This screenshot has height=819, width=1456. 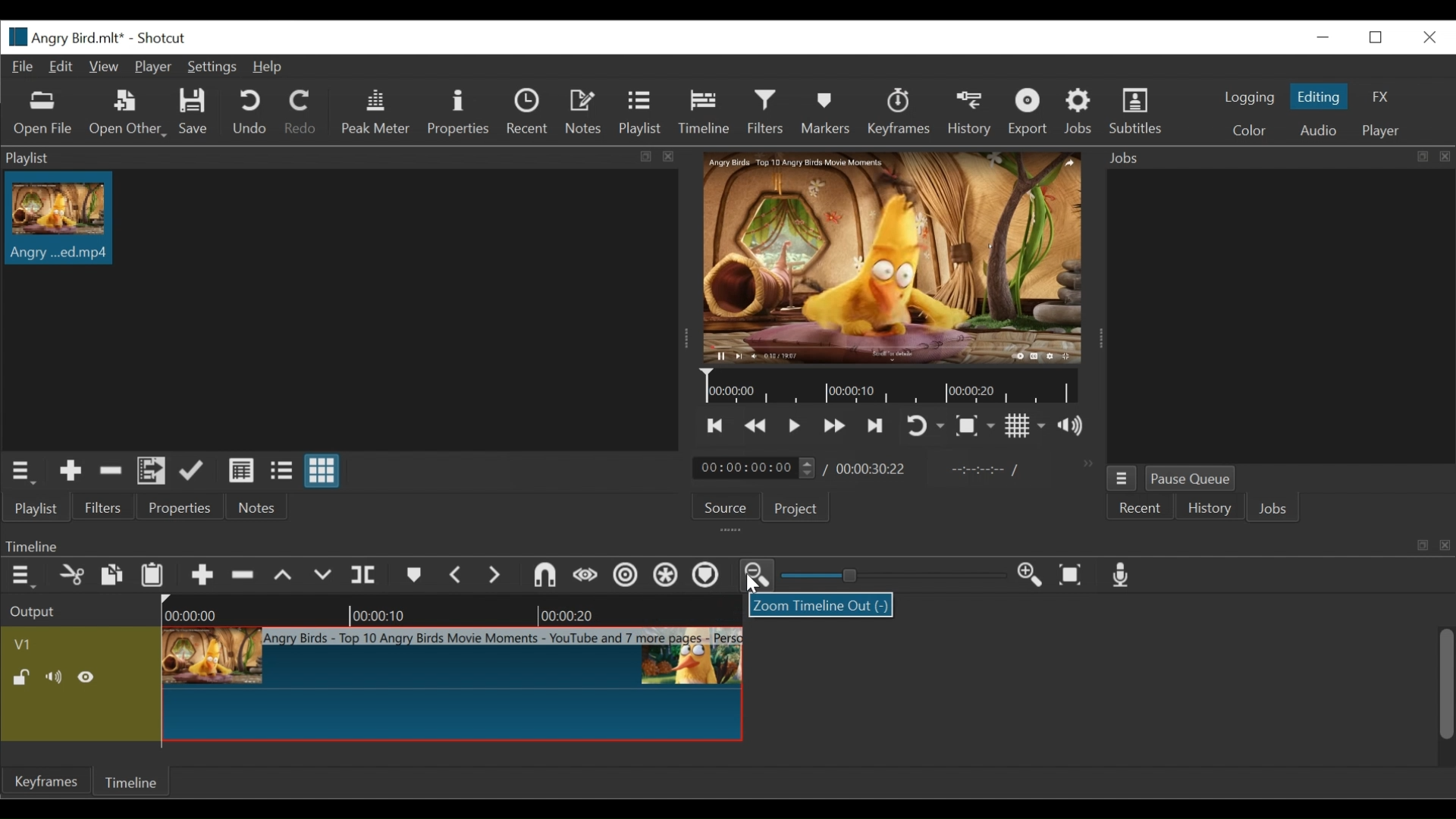 I want to click on Timeline Panel, so click(x=724, y=544).